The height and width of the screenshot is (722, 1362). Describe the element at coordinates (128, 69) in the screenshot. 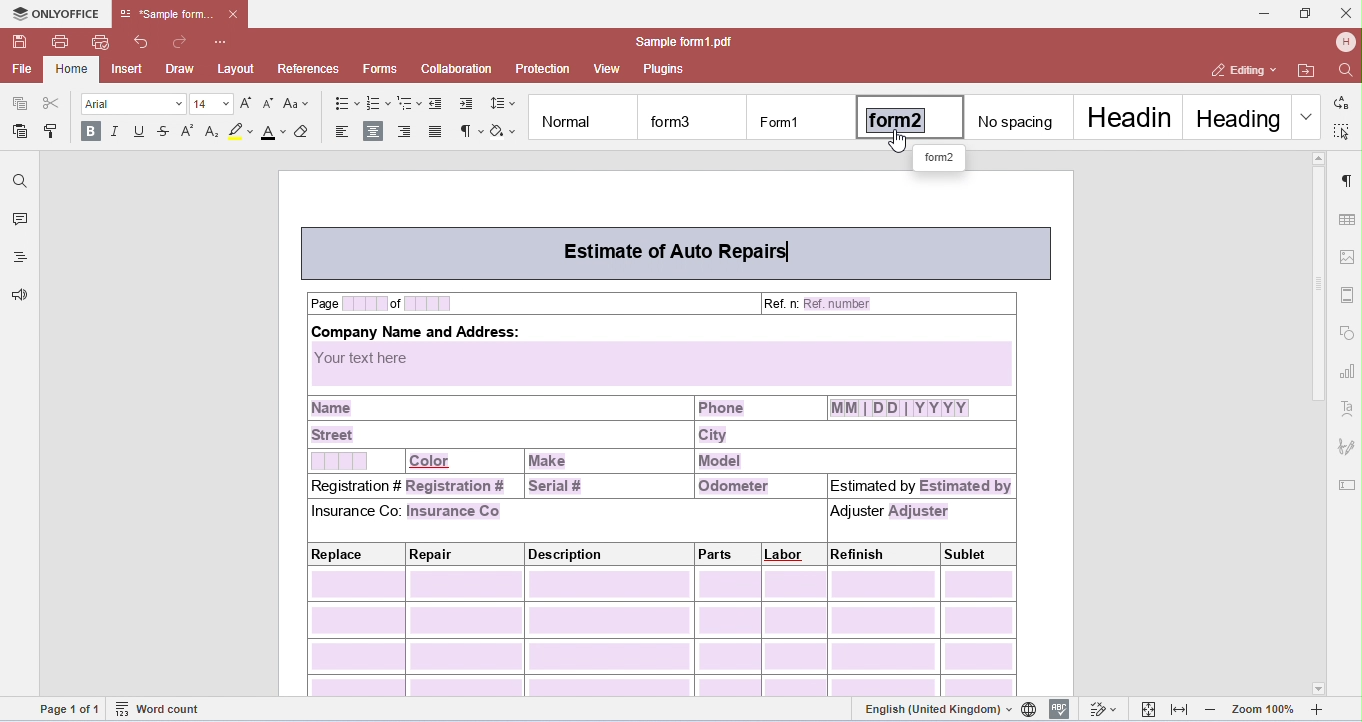

I see `insert` at that location.